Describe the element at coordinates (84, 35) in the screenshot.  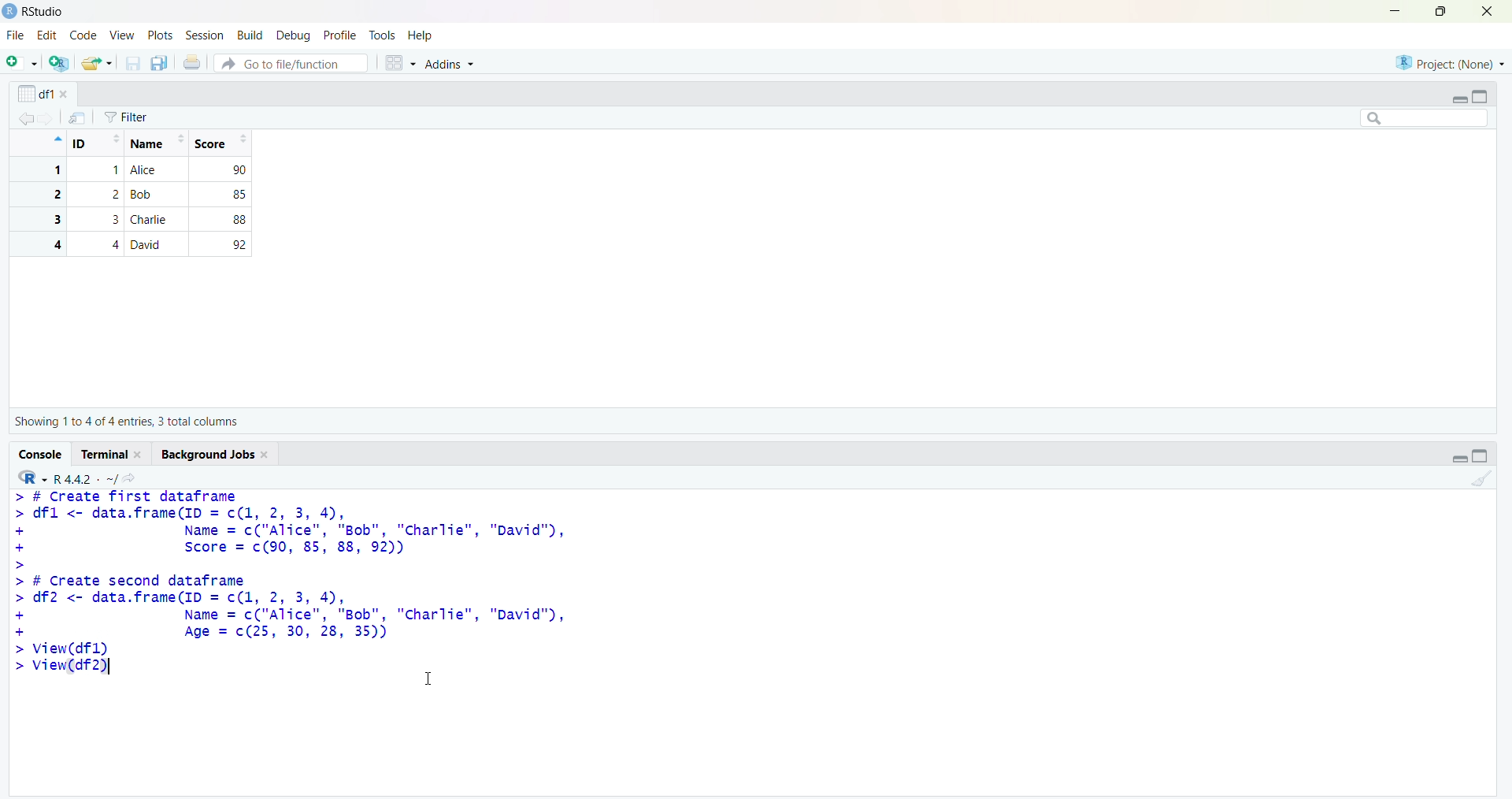
I see `code` at that location.